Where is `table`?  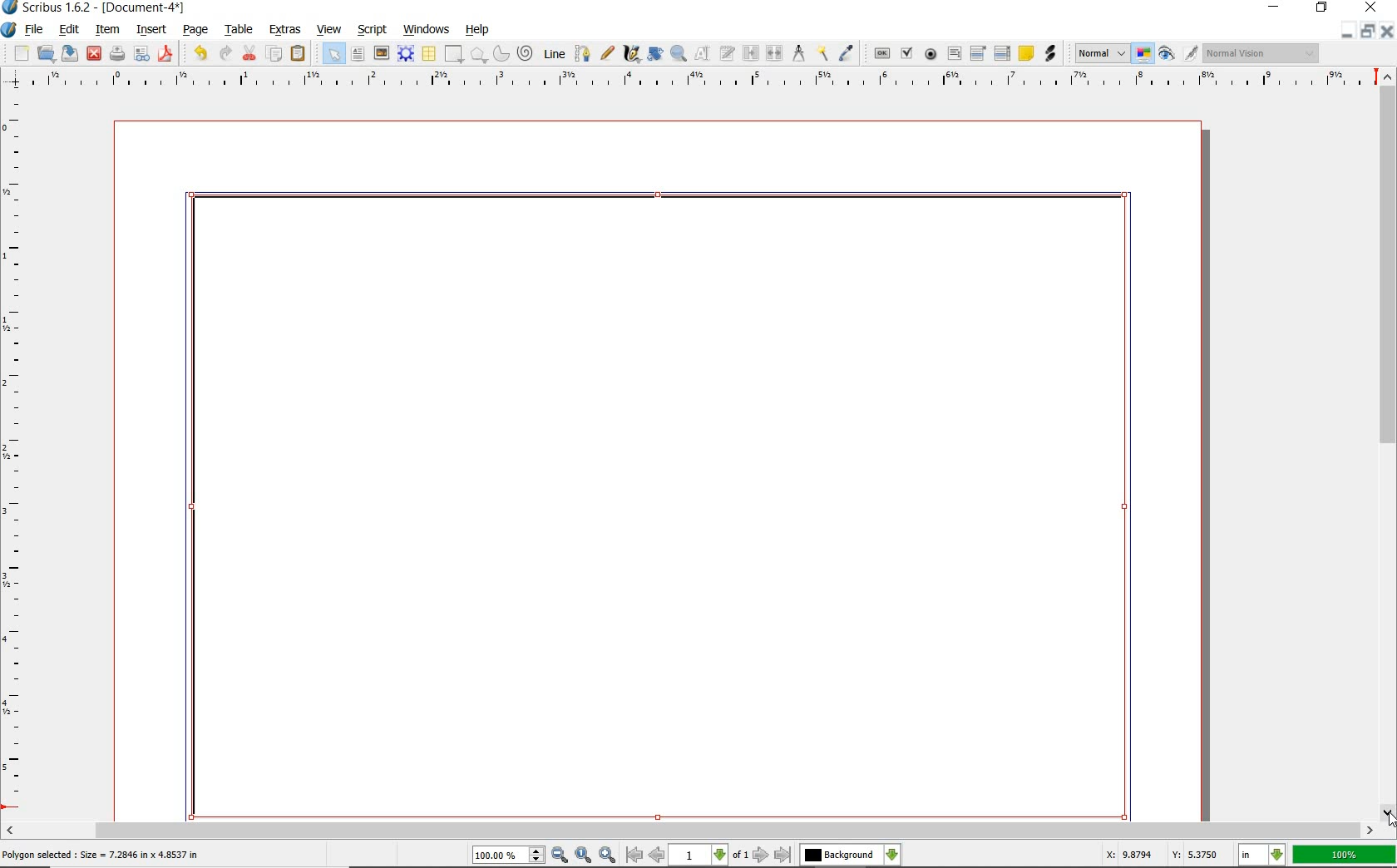
table is located at coordinates (239, 30).